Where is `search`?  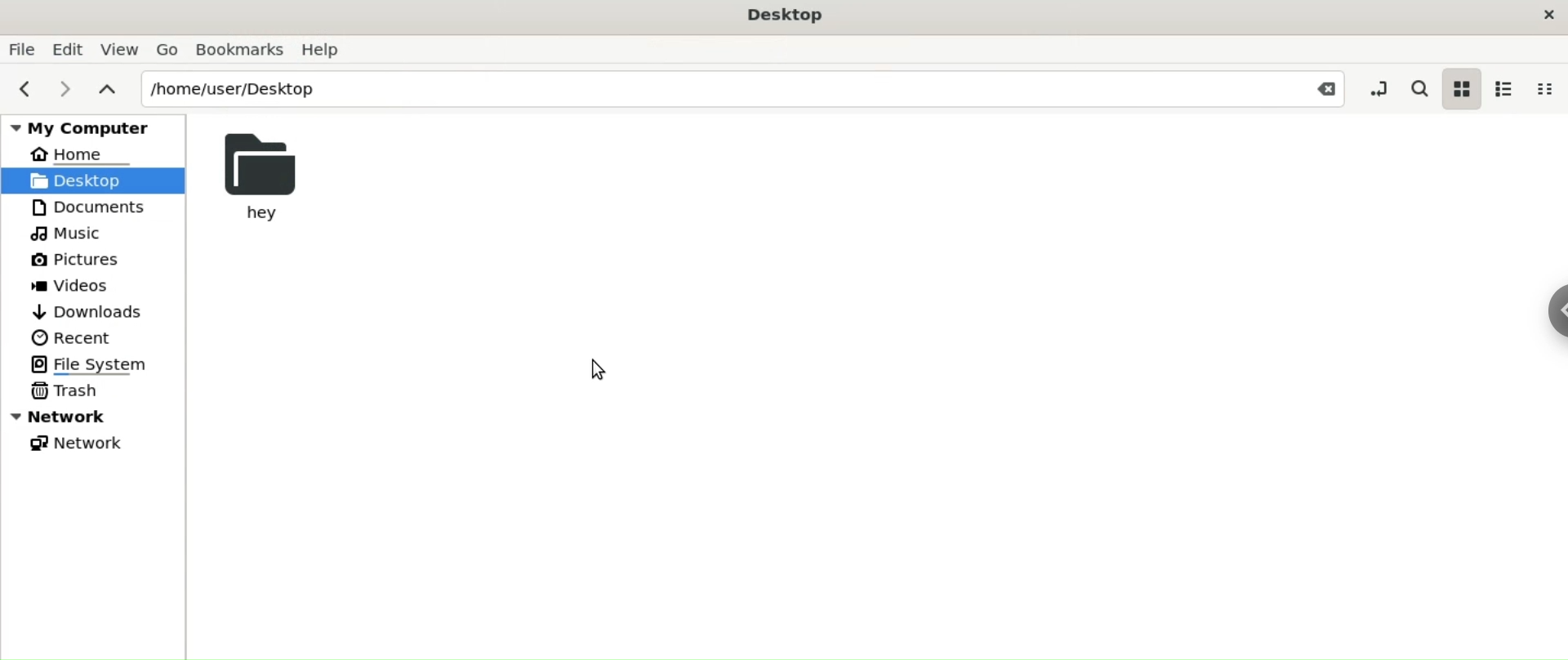 search is located at coordinates (1422, 89).